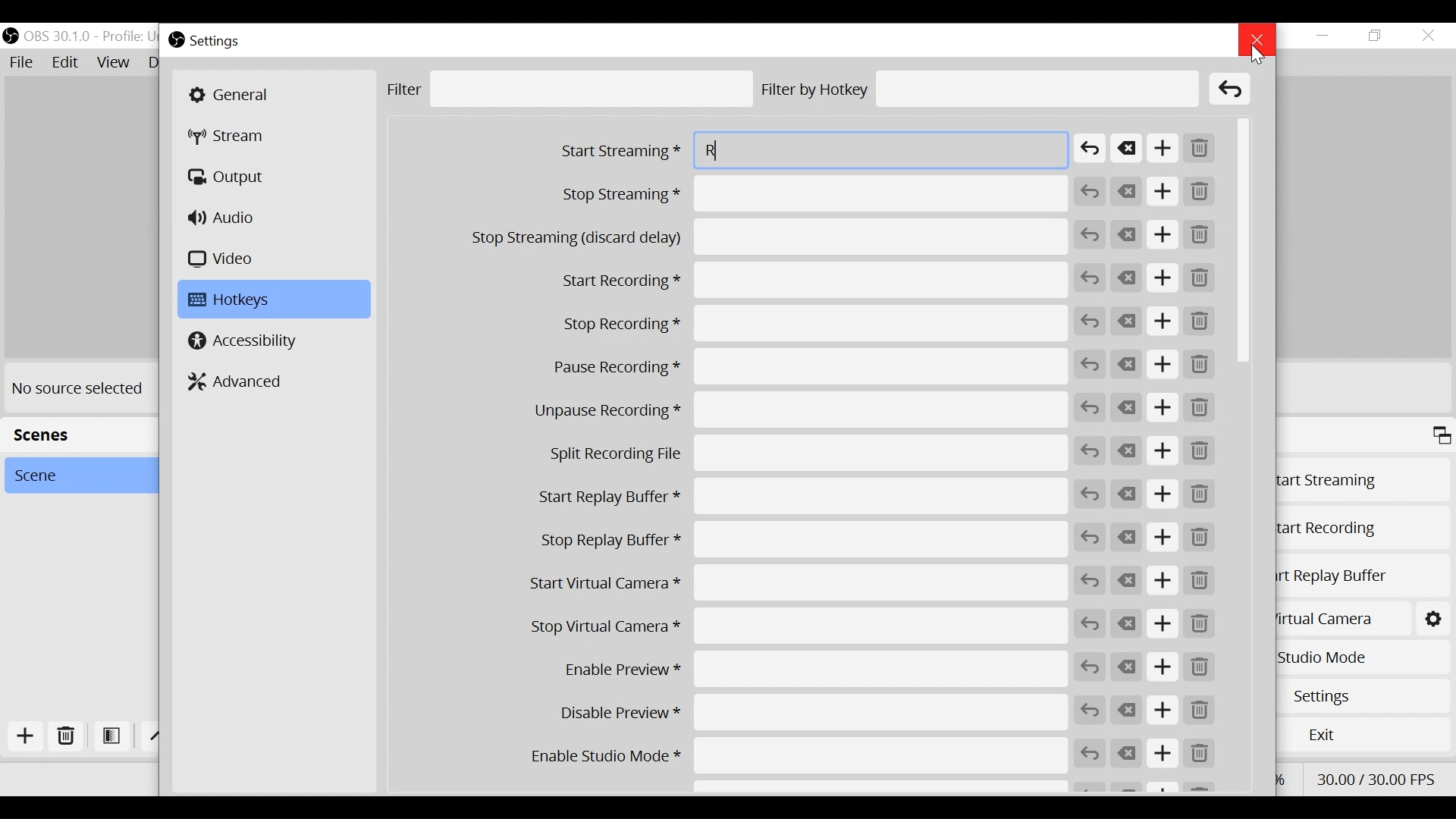 The image size is (1456, 819). Describe the element at coordinates (1164, 496) in the screenshot. I see `Add` at that location.